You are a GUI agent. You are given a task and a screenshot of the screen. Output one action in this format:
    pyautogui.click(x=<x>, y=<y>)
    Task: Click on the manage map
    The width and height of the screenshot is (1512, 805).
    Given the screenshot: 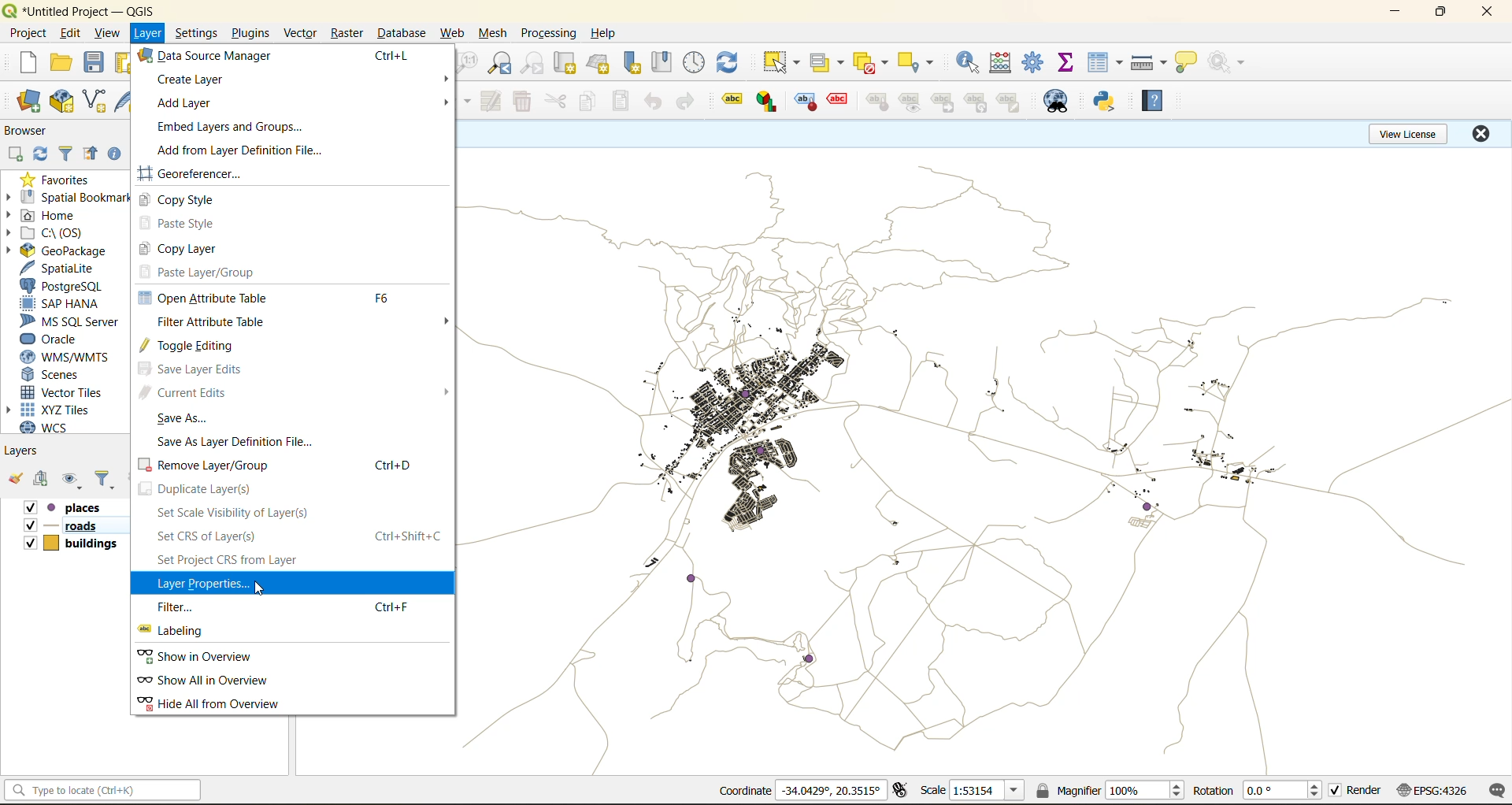 What is the action you would take?
    pyautogui.click(x=72, y=480)
    